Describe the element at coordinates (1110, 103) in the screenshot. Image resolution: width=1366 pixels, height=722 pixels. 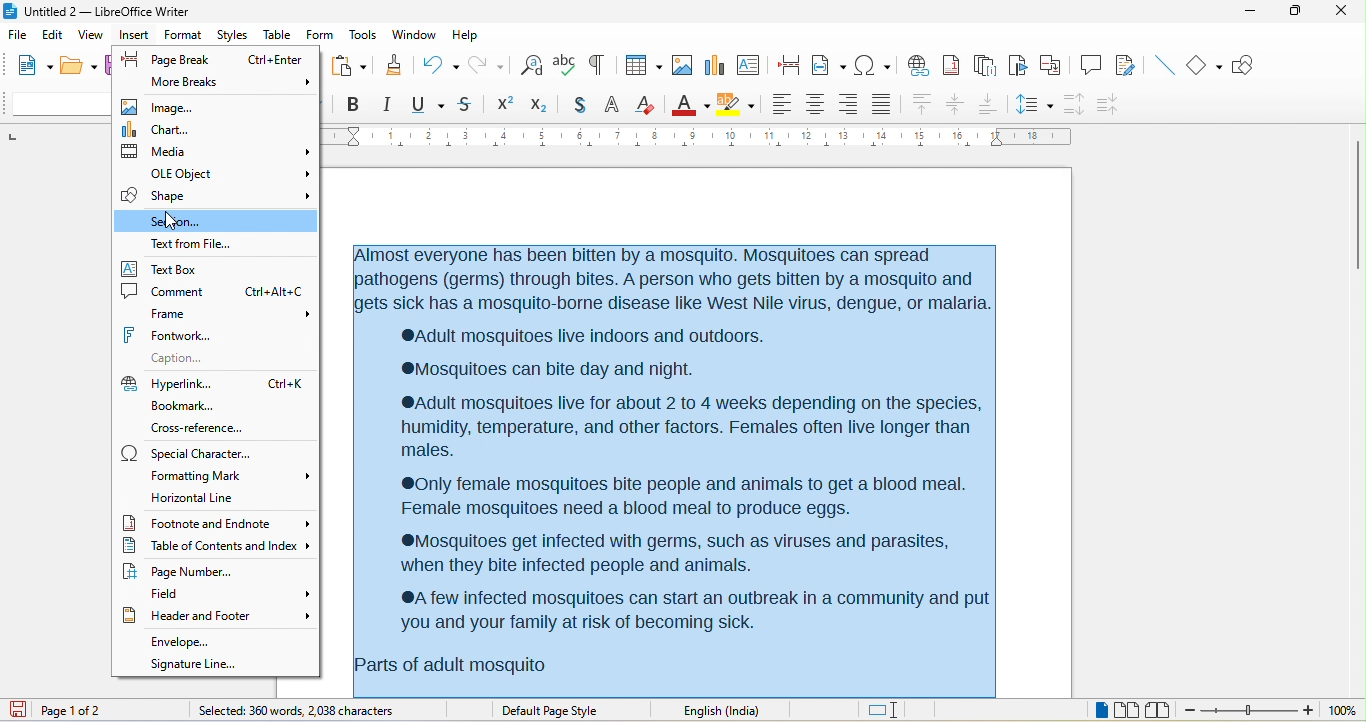
I see `decrease paragraph spacing` at that location.